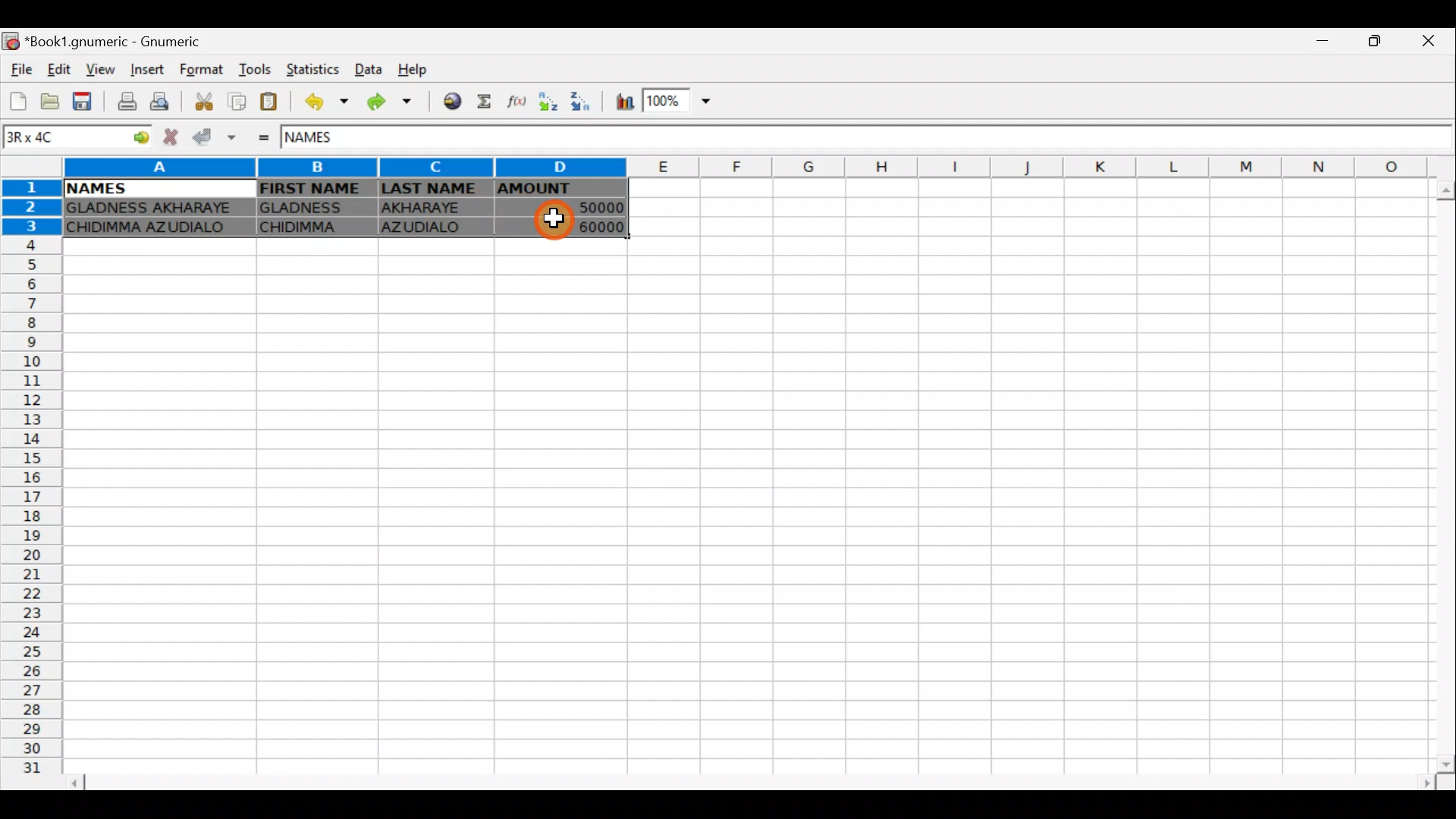 This screenshot has width=1456, height=819. I want to click on GLADNESS, so click(313, 206).